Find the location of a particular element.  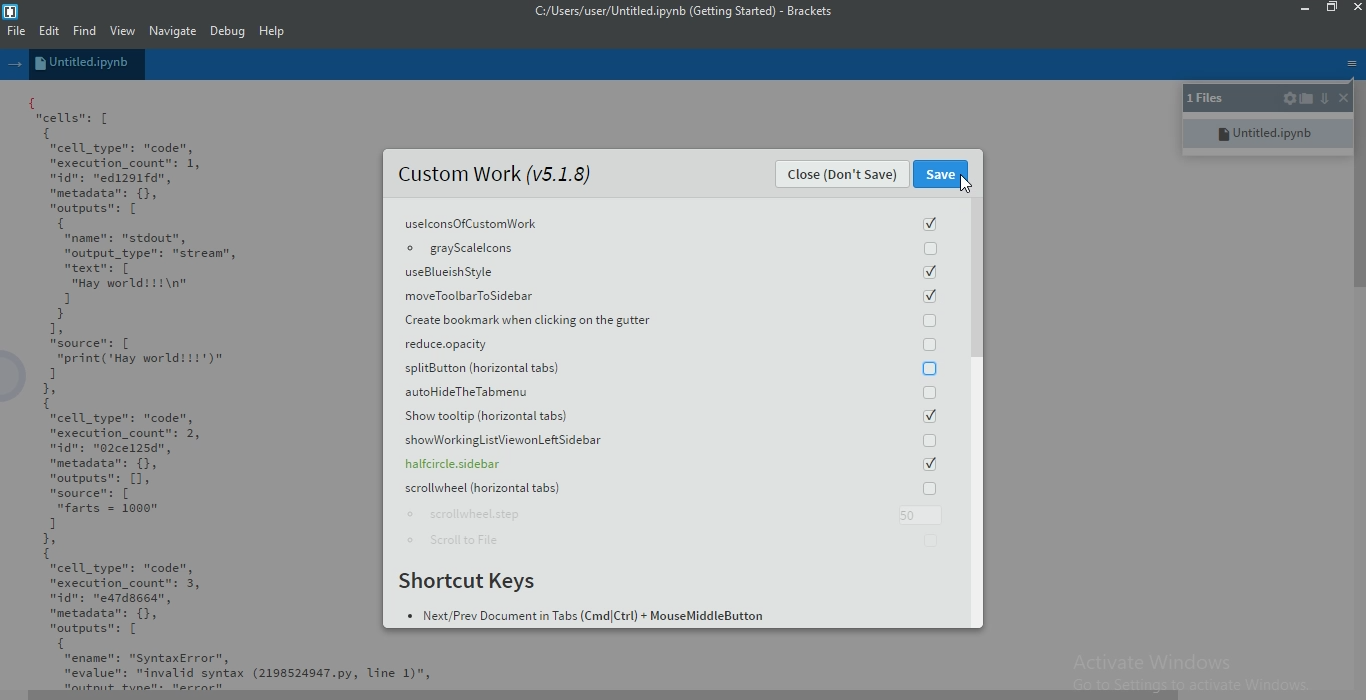

Find is located at coordinates (89, 31).